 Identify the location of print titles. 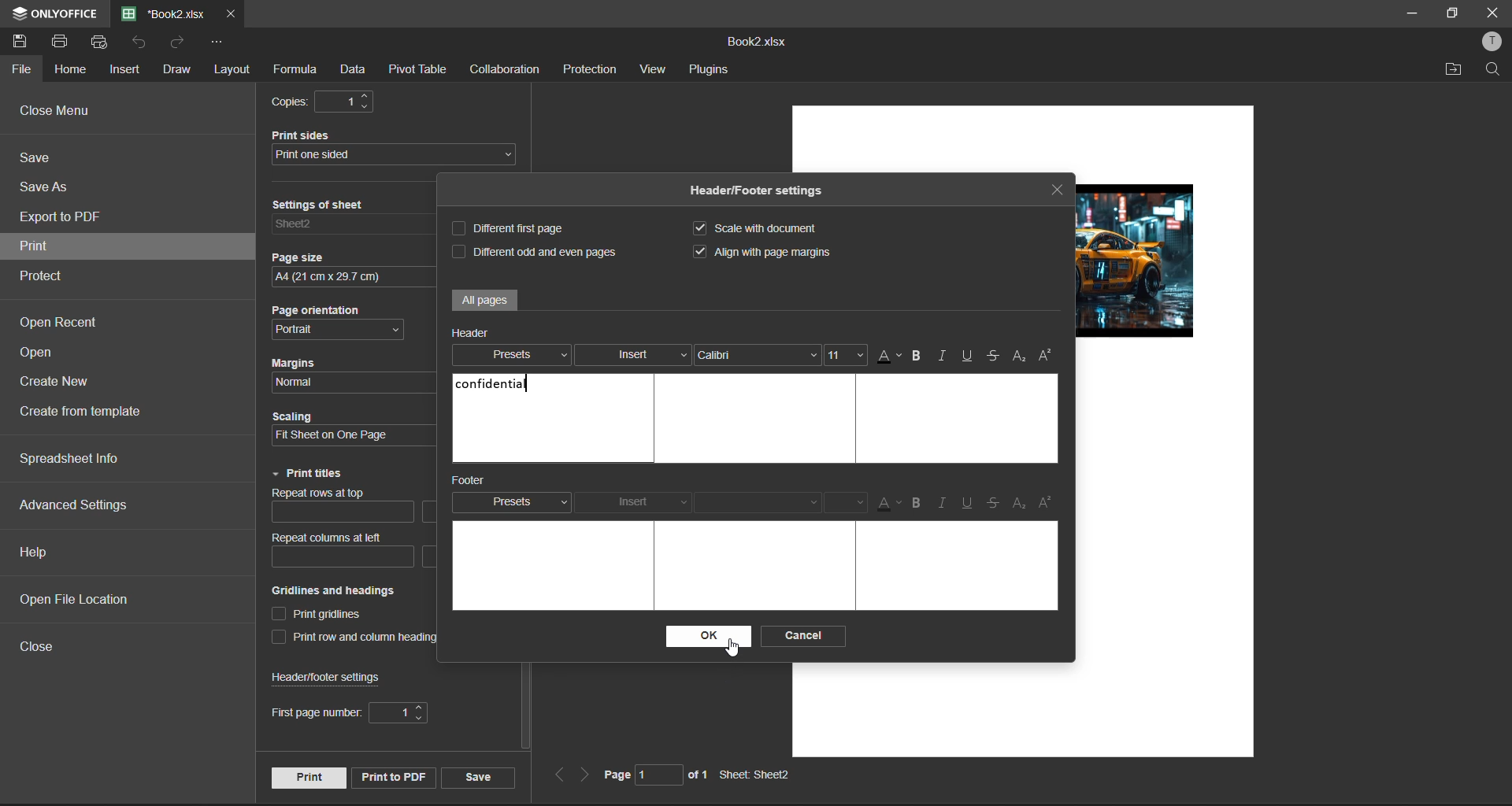
(308, 474).